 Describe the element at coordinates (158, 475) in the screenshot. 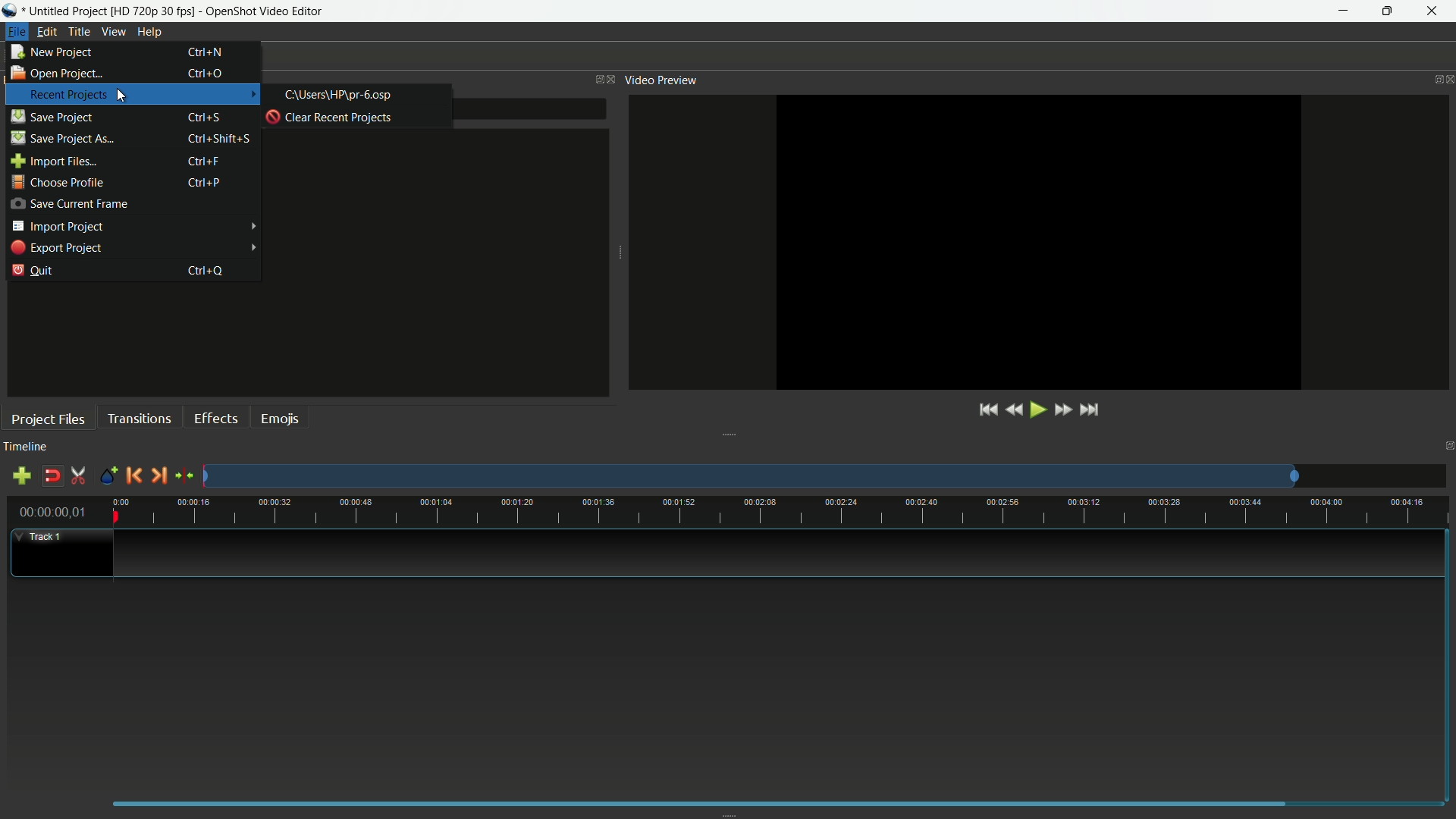

I see `next marker` at that location.